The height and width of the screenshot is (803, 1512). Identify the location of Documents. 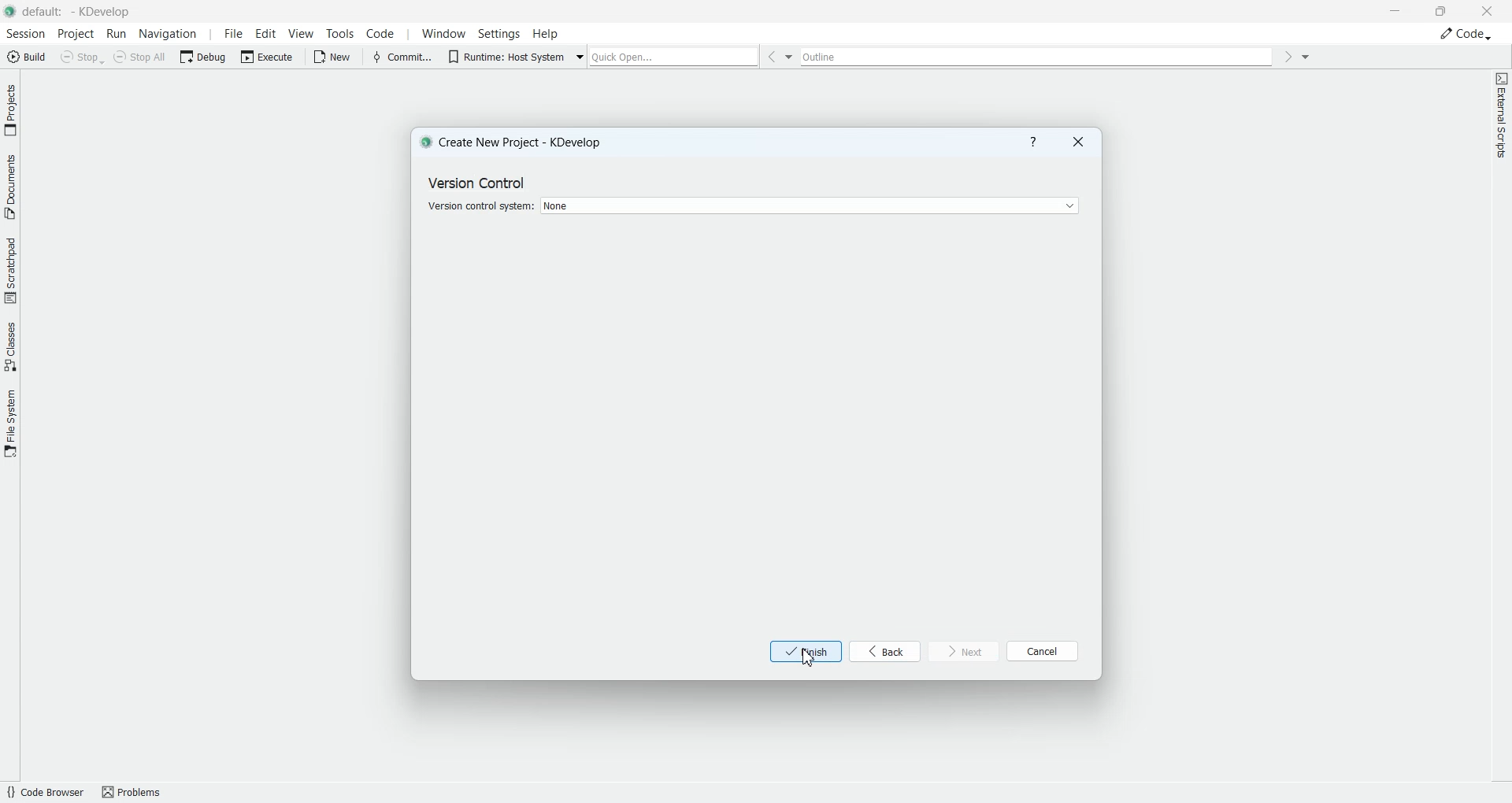
(10, 185).